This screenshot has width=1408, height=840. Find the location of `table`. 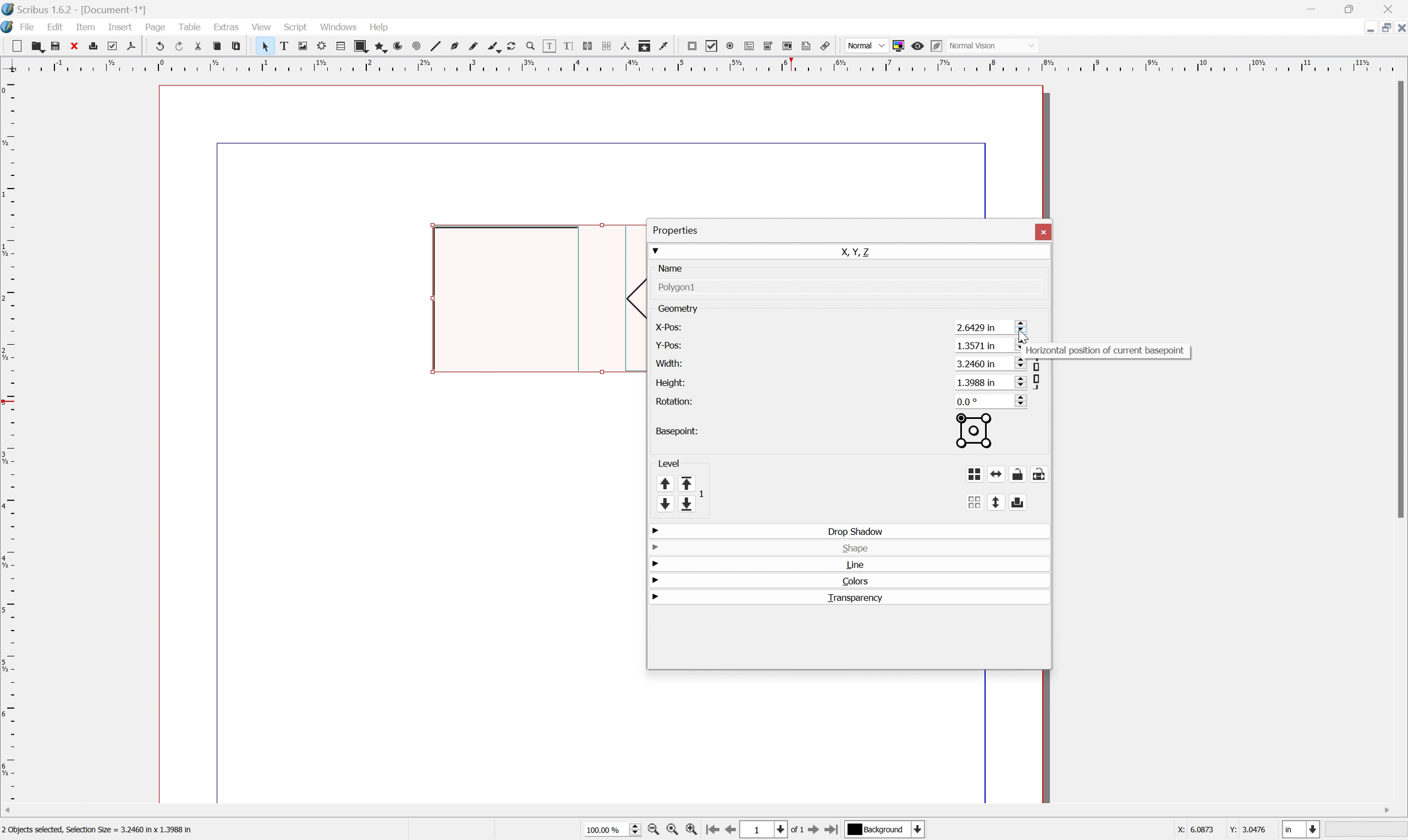

table is located at coordinates (192, 28).